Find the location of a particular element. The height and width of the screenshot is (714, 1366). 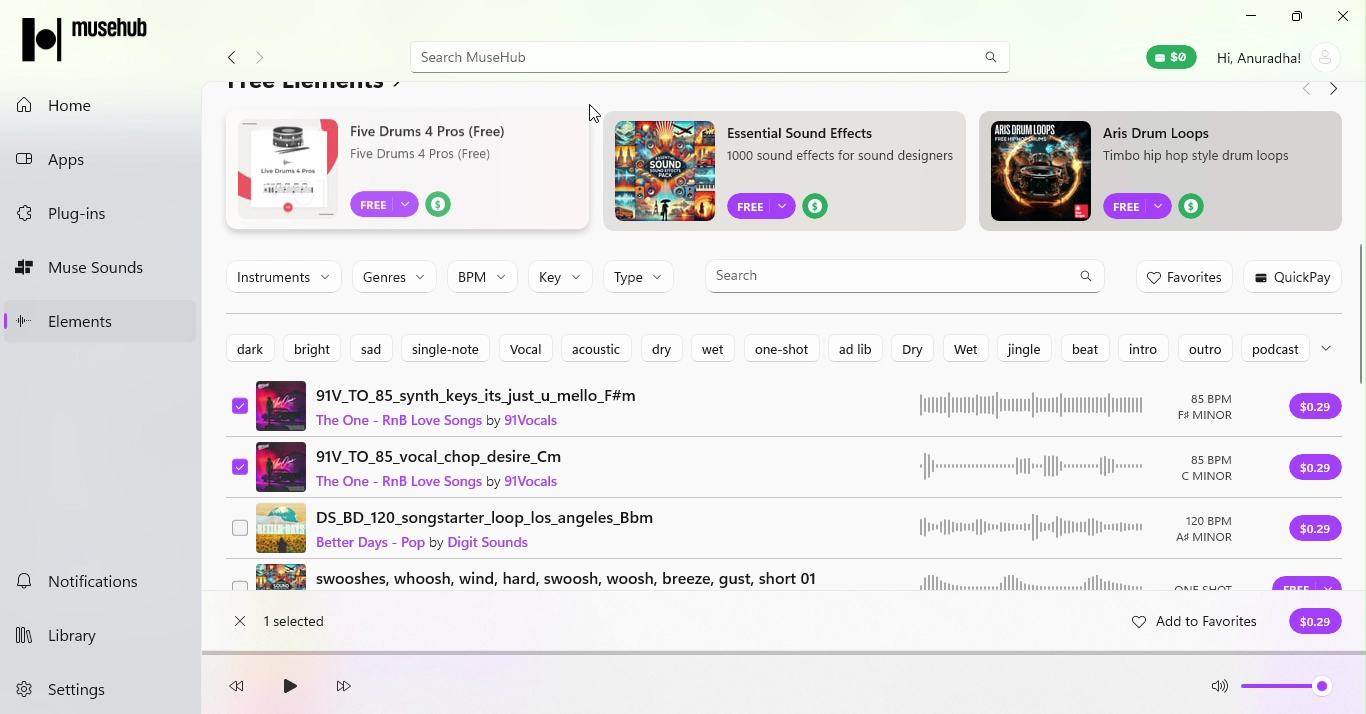

$0.29 is located at coordinates (1315, 623).